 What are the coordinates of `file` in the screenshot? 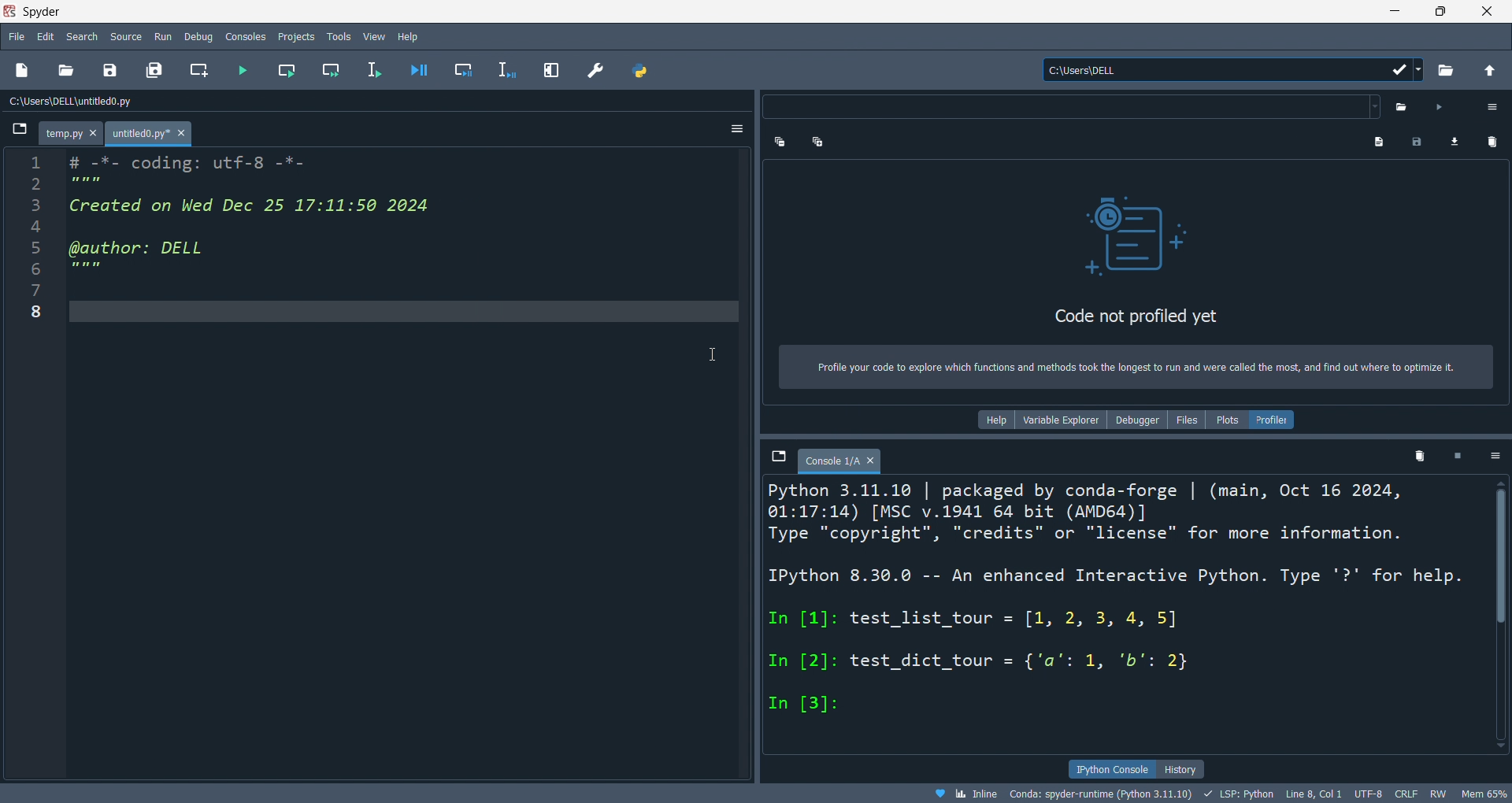 It's located at (18, 39).